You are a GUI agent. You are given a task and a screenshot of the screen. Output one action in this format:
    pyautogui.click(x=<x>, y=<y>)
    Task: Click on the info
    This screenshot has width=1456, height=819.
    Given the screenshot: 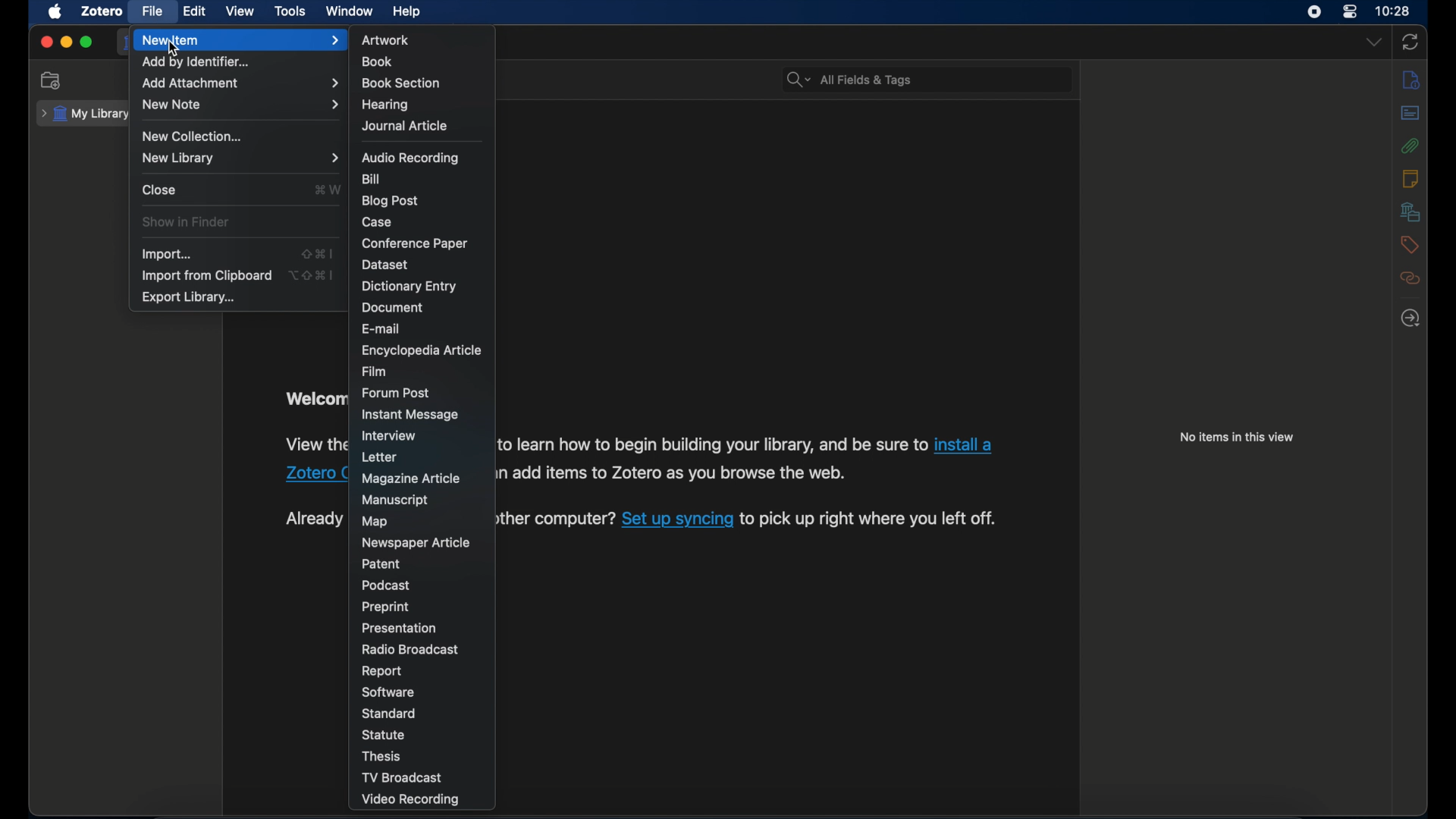 What is the action you would take?
    pyautogui.click(x=1411, y=80)
    